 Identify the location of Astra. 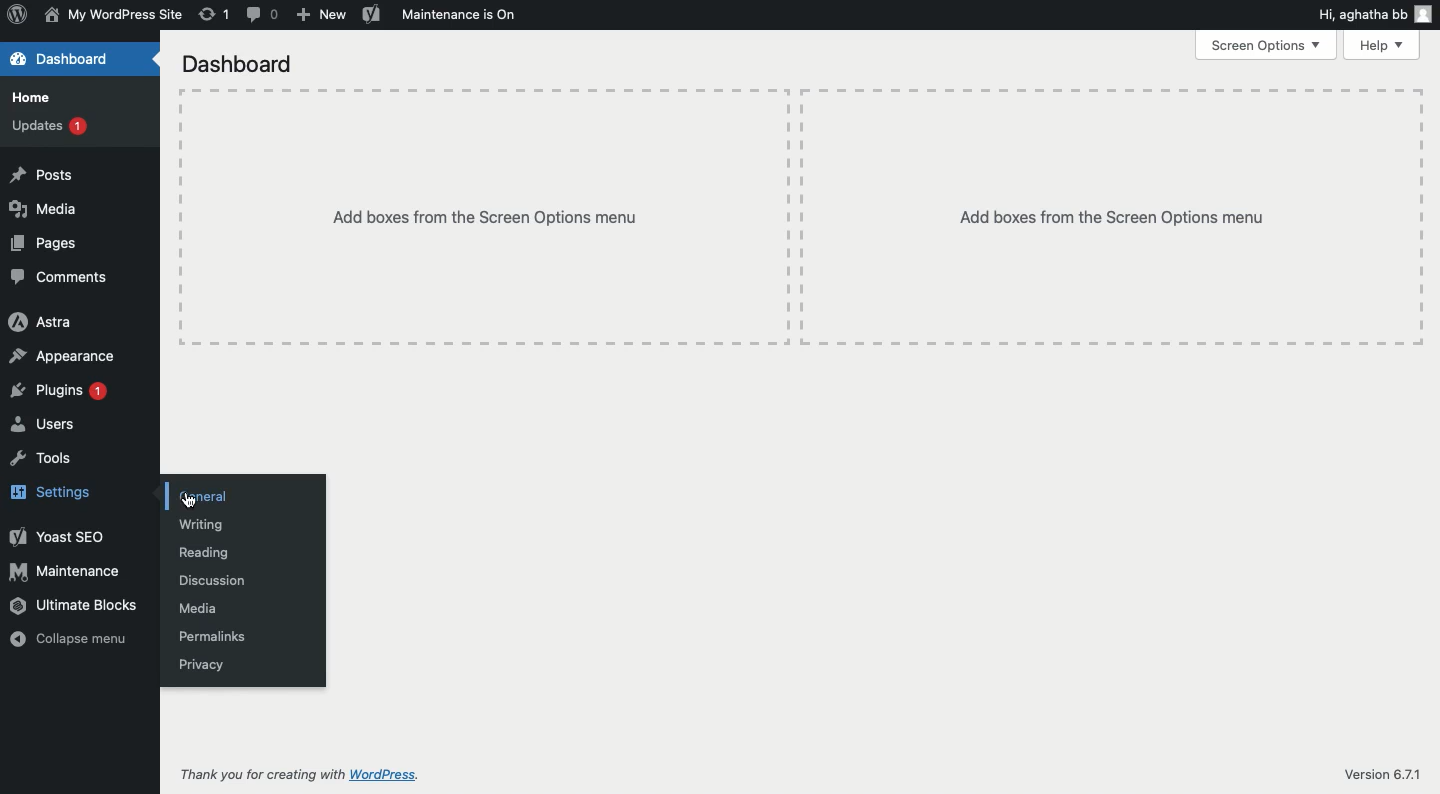
(42, 321).